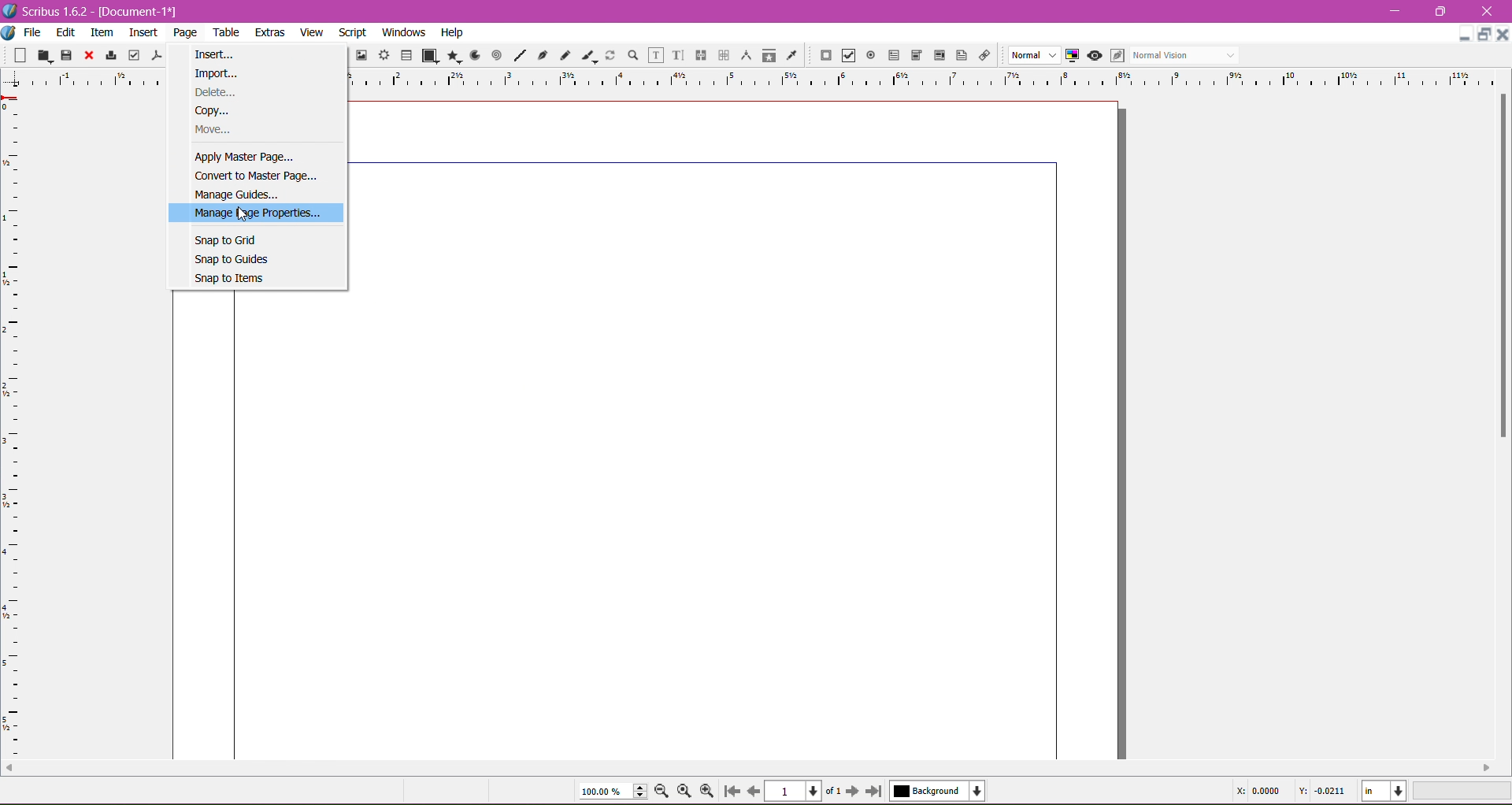 Image resolution: width=1512 pixels, height=805 pixels. What do you see at coordinates (228, 280) in the screenshot?
I see `Snap to Items` at bounding box center [228, 280].